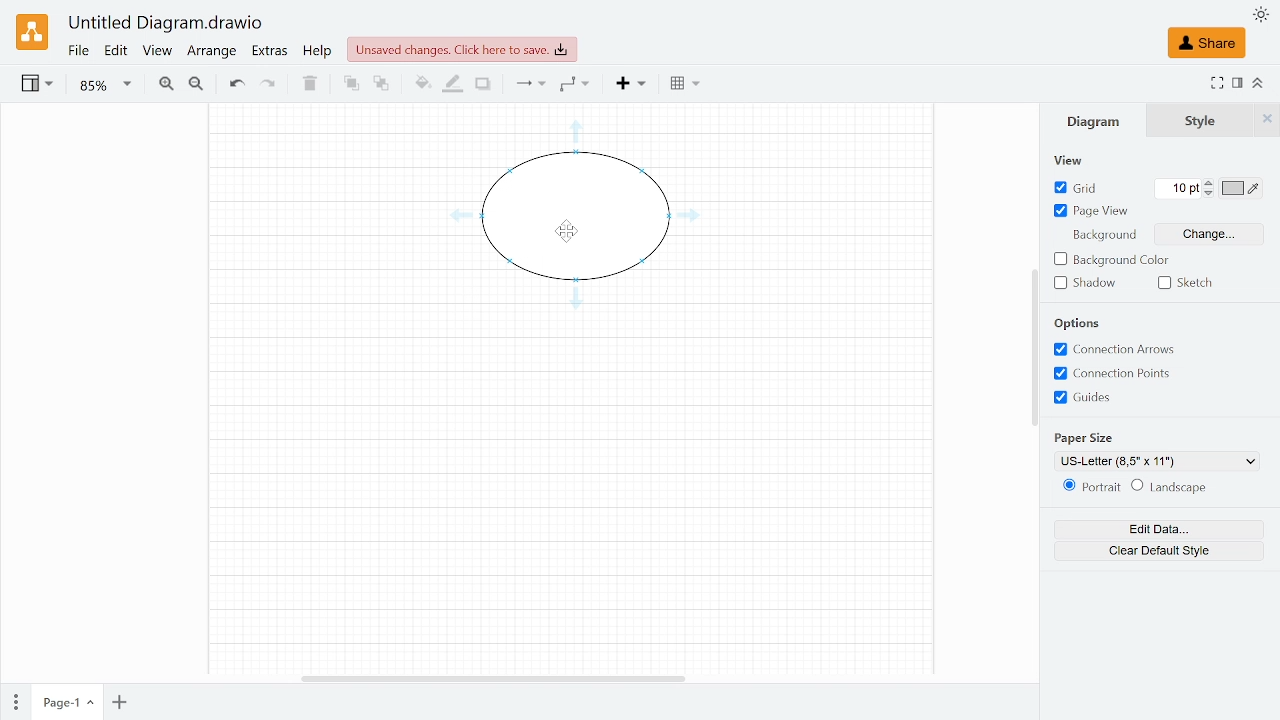 The width and height of the screenshot is (1280, 720). Describe the element at coordinates (157, 52) in the screenshot. I see `View` at that location.